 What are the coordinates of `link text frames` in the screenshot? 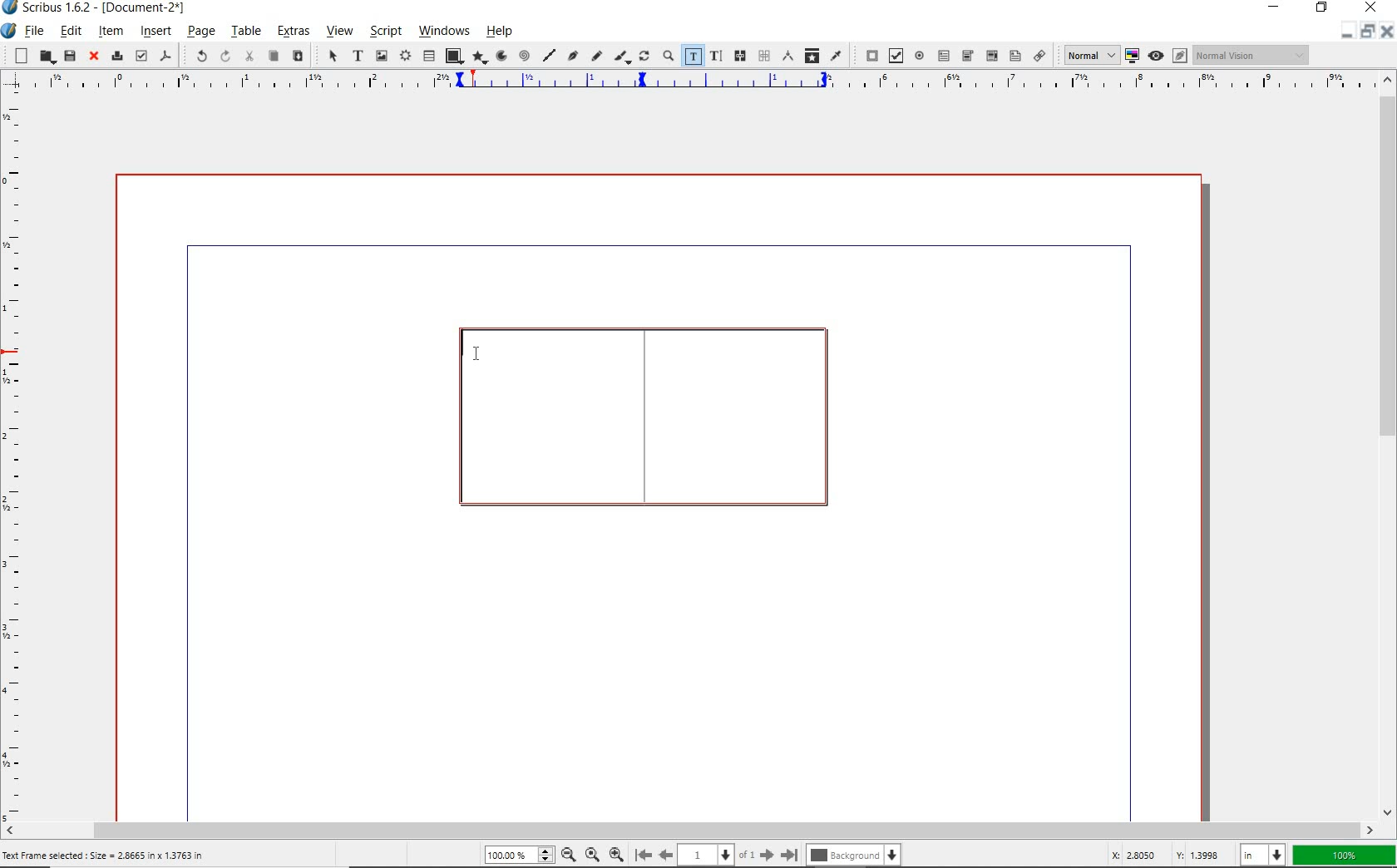 It's located at (740, 57).